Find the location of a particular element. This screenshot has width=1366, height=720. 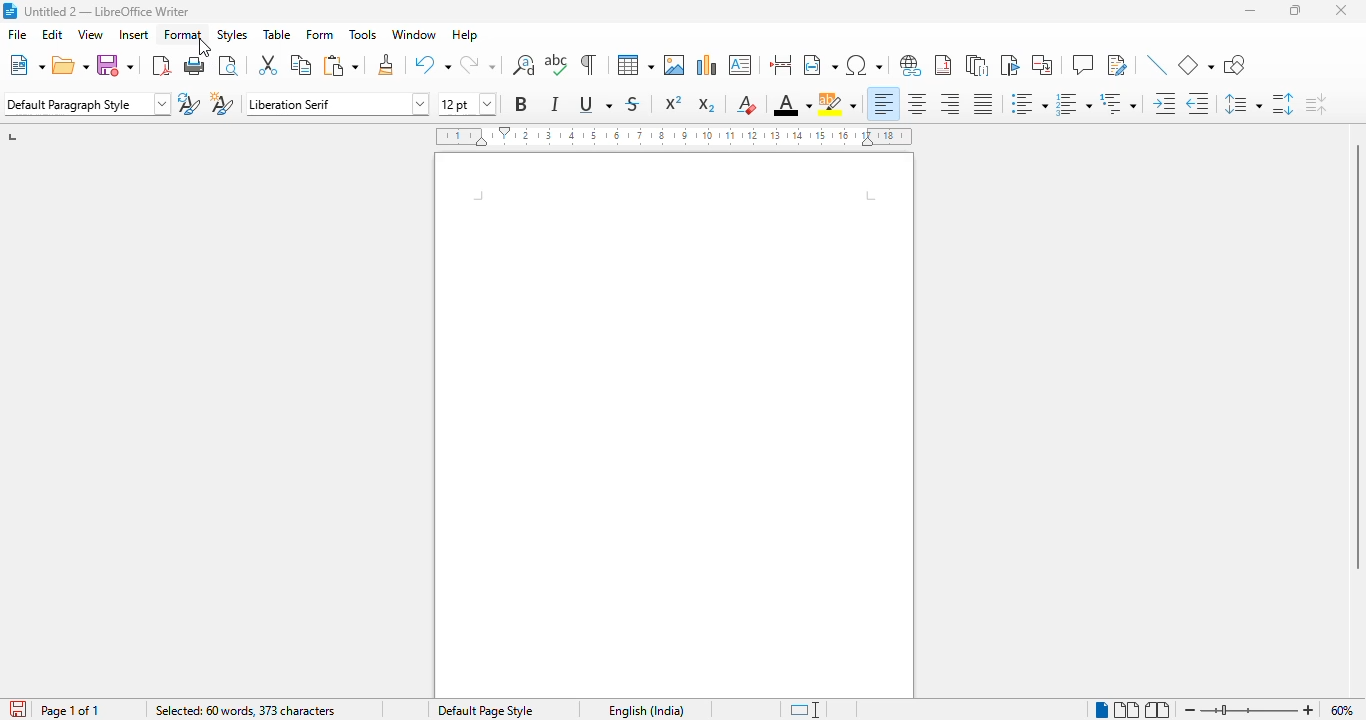

format is located at coordinates (184, 34).